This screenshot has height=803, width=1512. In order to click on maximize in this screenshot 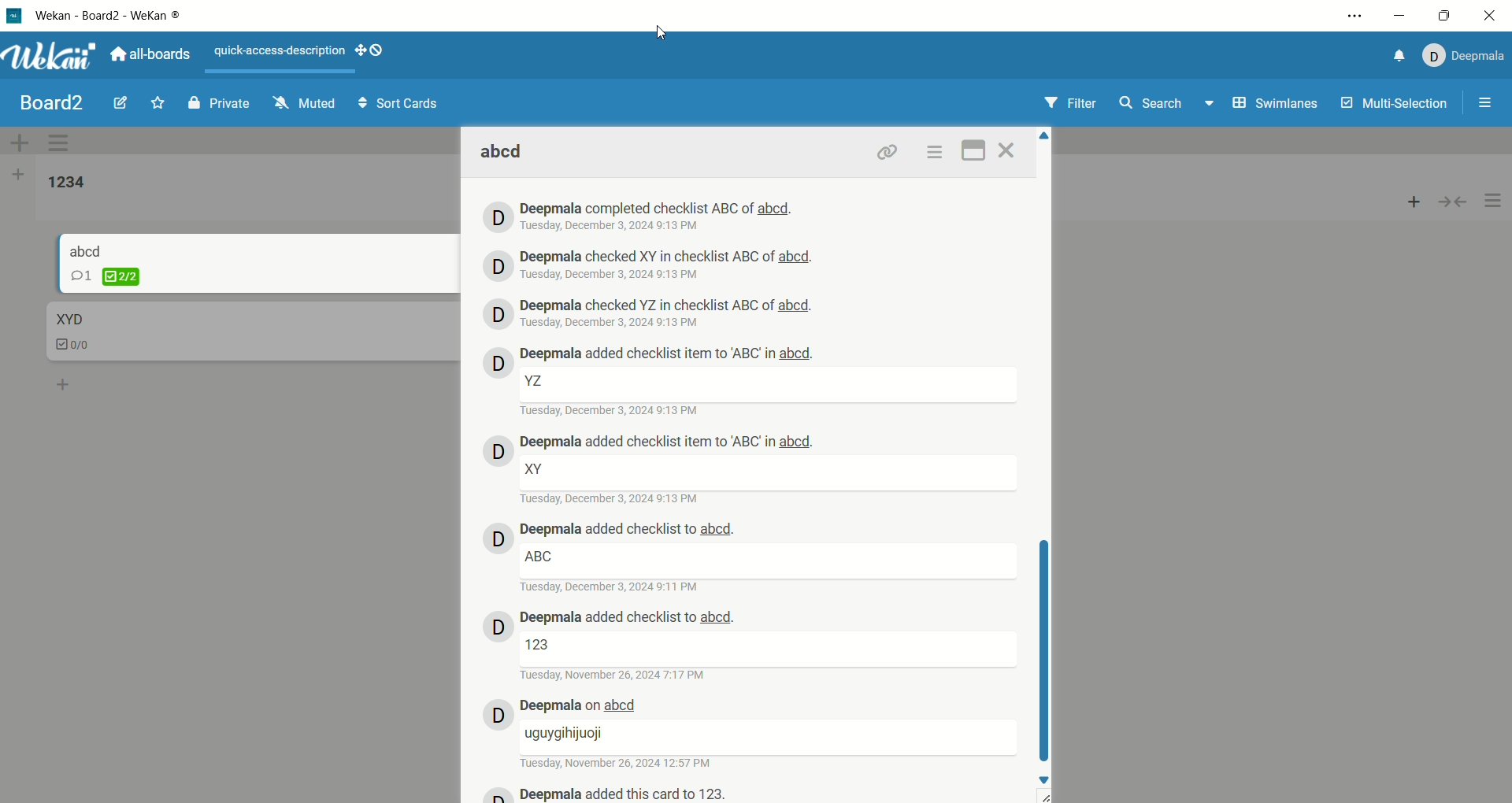, I will do `click(1444, 17)`.